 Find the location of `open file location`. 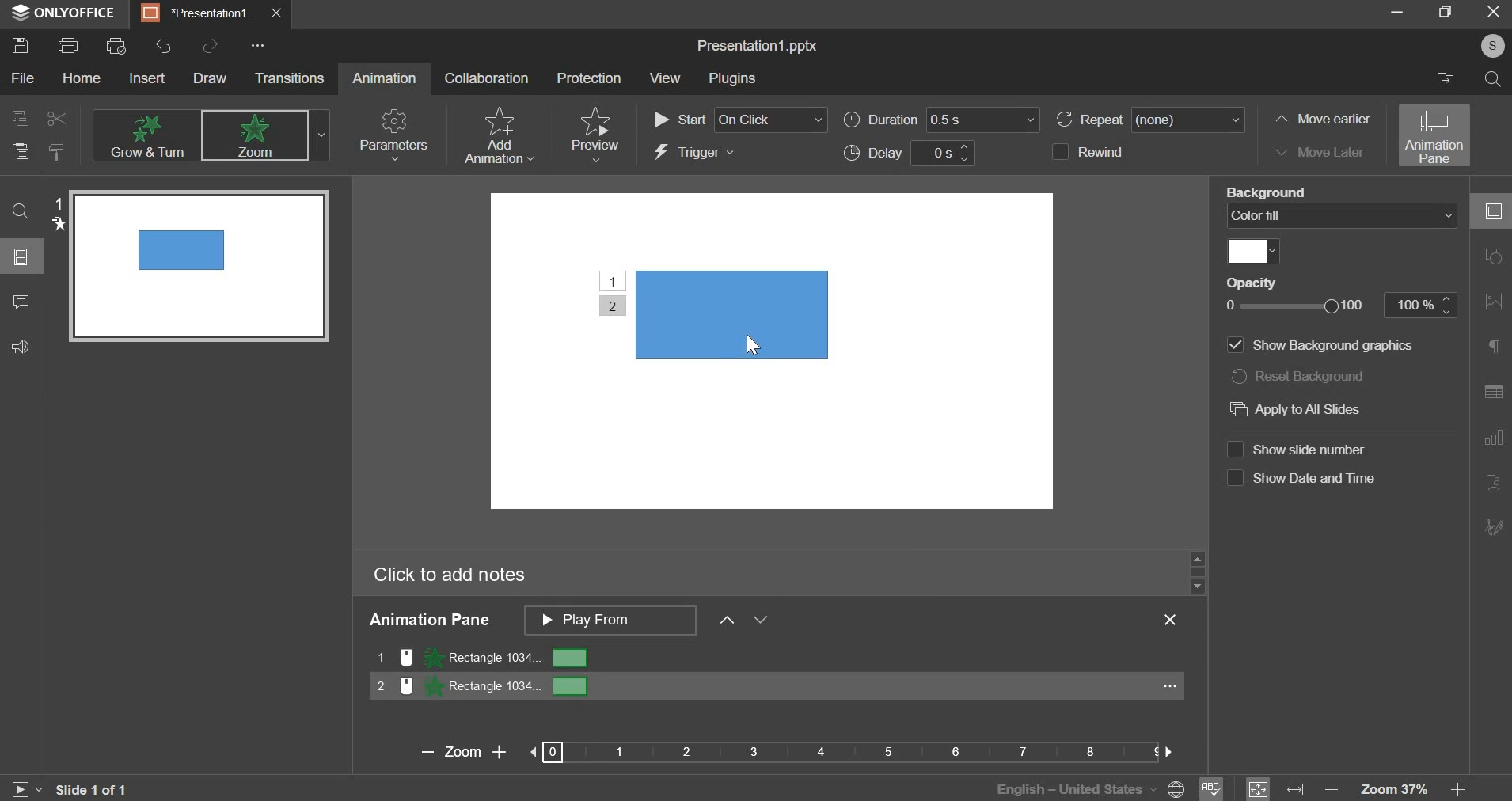

open file location is located at coordinates (1441, 82).